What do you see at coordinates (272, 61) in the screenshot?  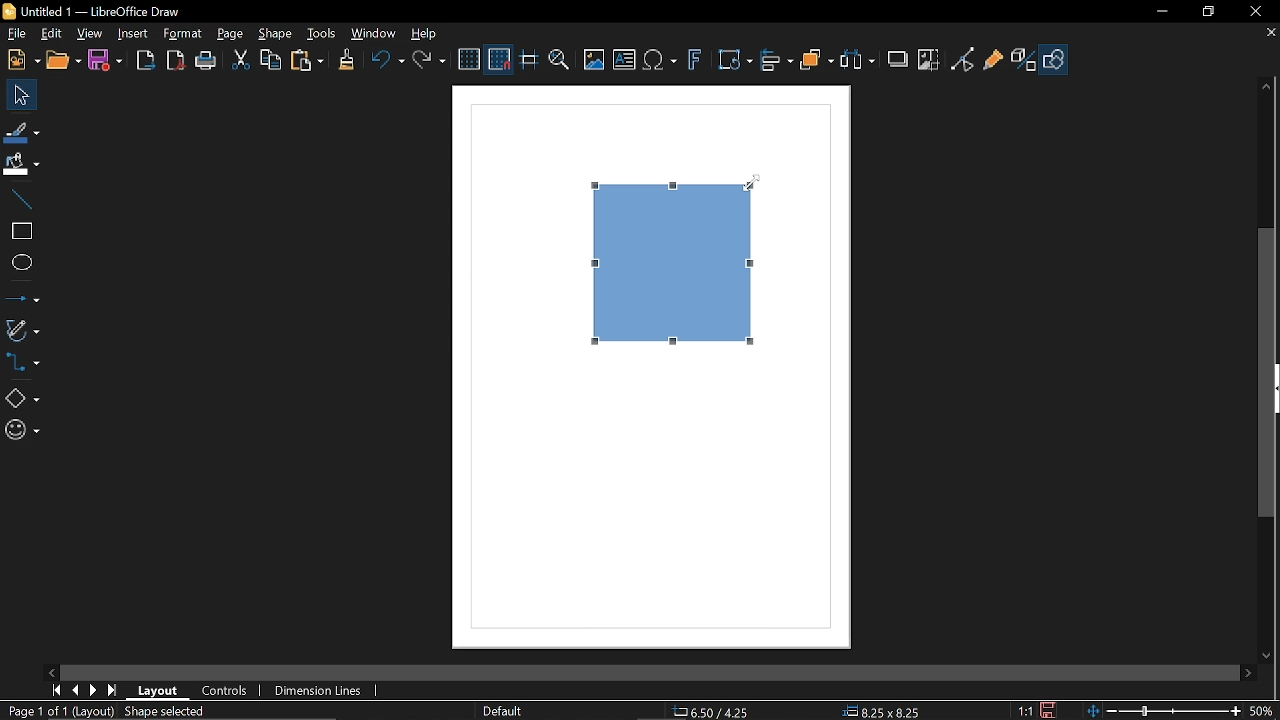 I see `Copy` at bounding box center [272, 61].